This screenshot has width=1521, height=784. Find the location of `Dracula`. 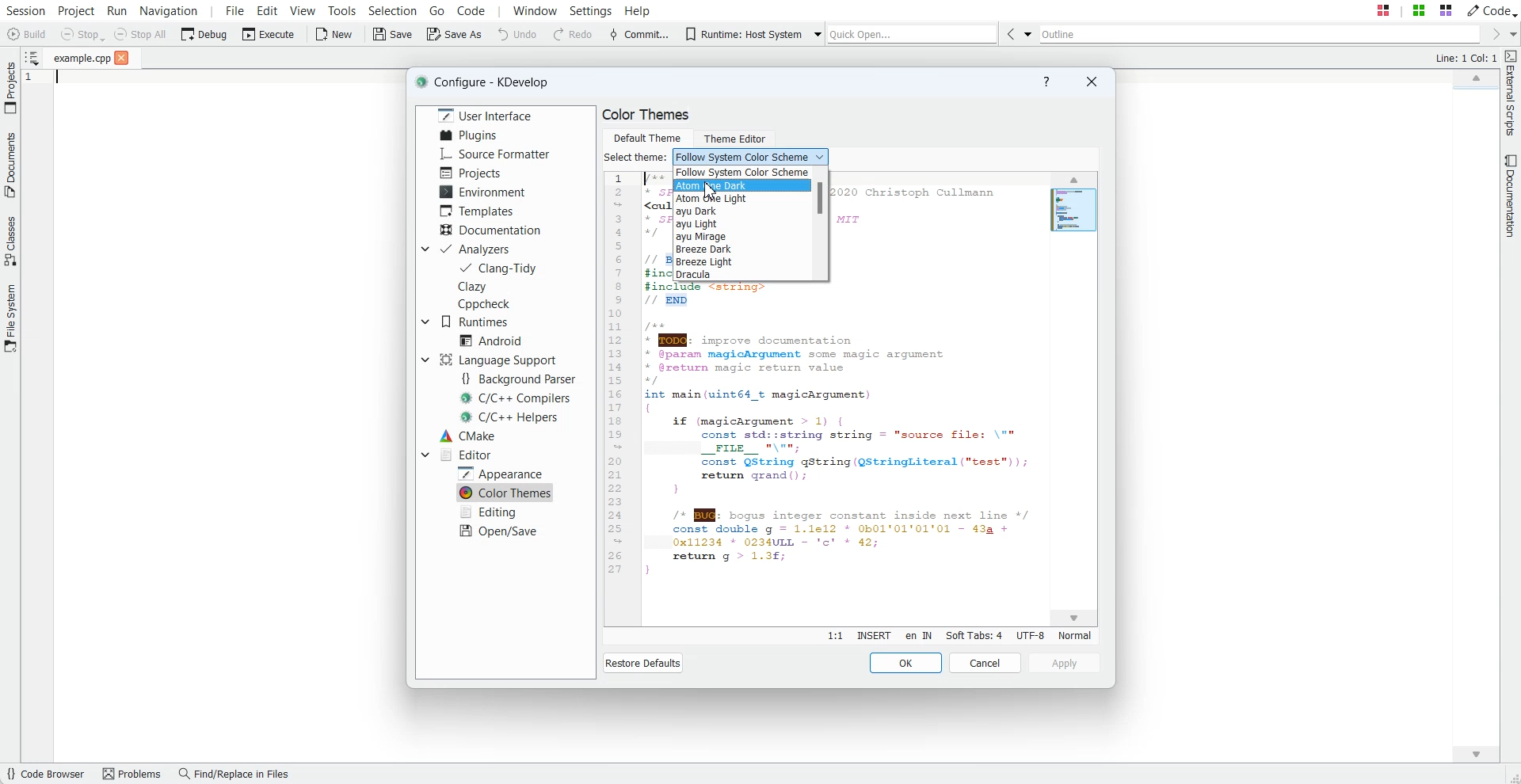

Dracula is located at coordinates (742, 275).